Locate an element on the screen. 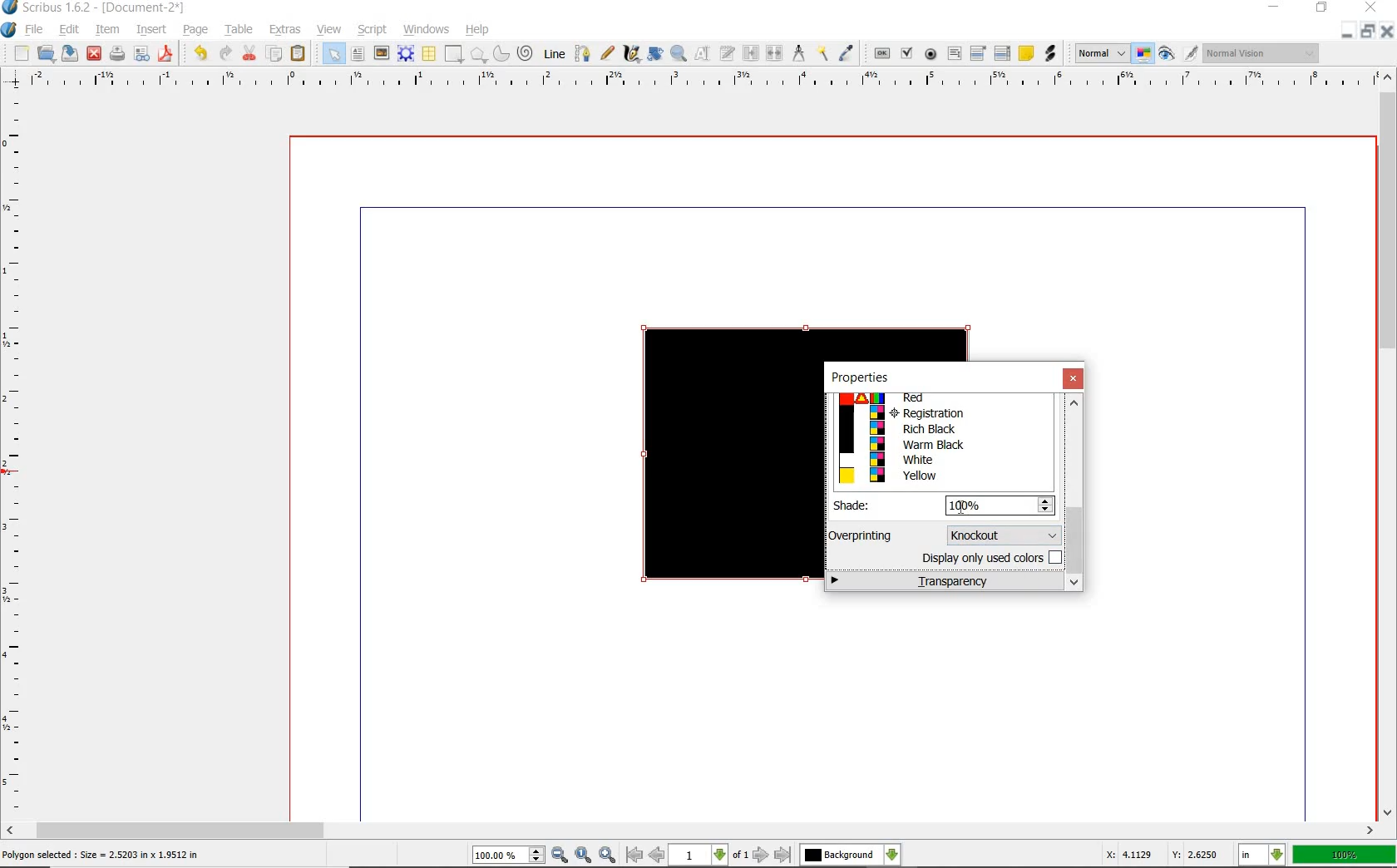 The height and width of the screenshot is (868, 1397). Rich Black is located at coordinates (941, 430).